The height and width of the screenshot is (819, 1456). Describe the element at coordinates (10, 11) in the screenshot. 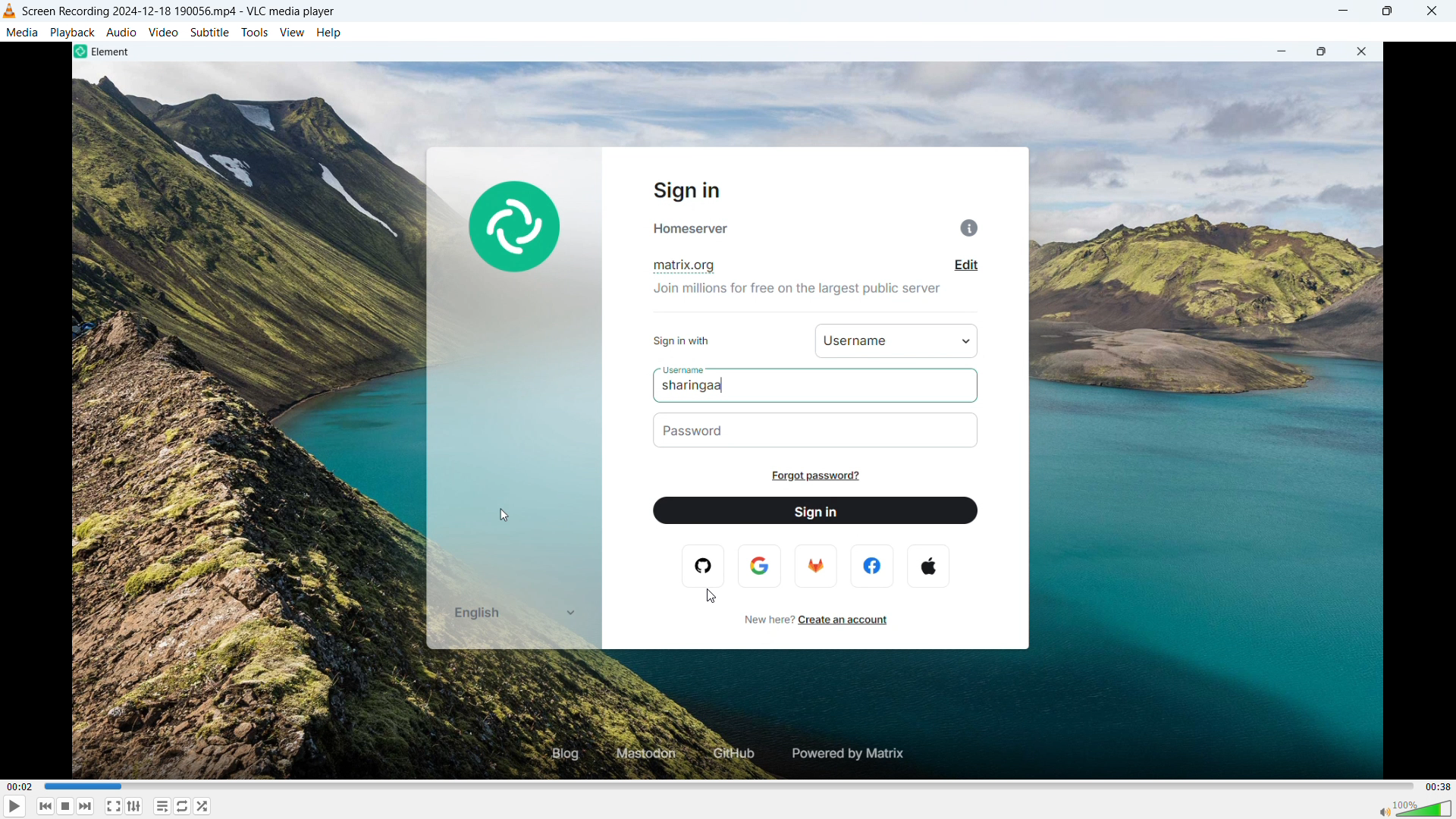

I see `logo` at that location.